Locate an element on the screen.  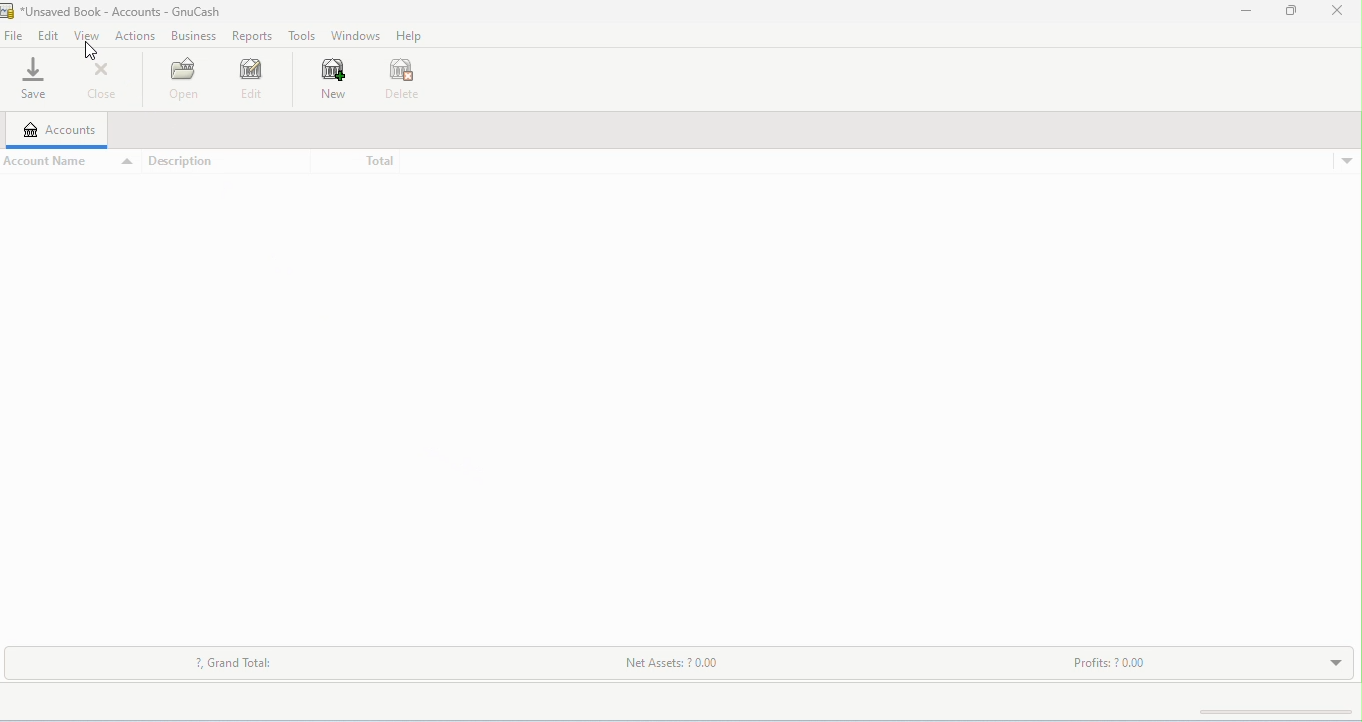
help is located at coordinates (408, 35).